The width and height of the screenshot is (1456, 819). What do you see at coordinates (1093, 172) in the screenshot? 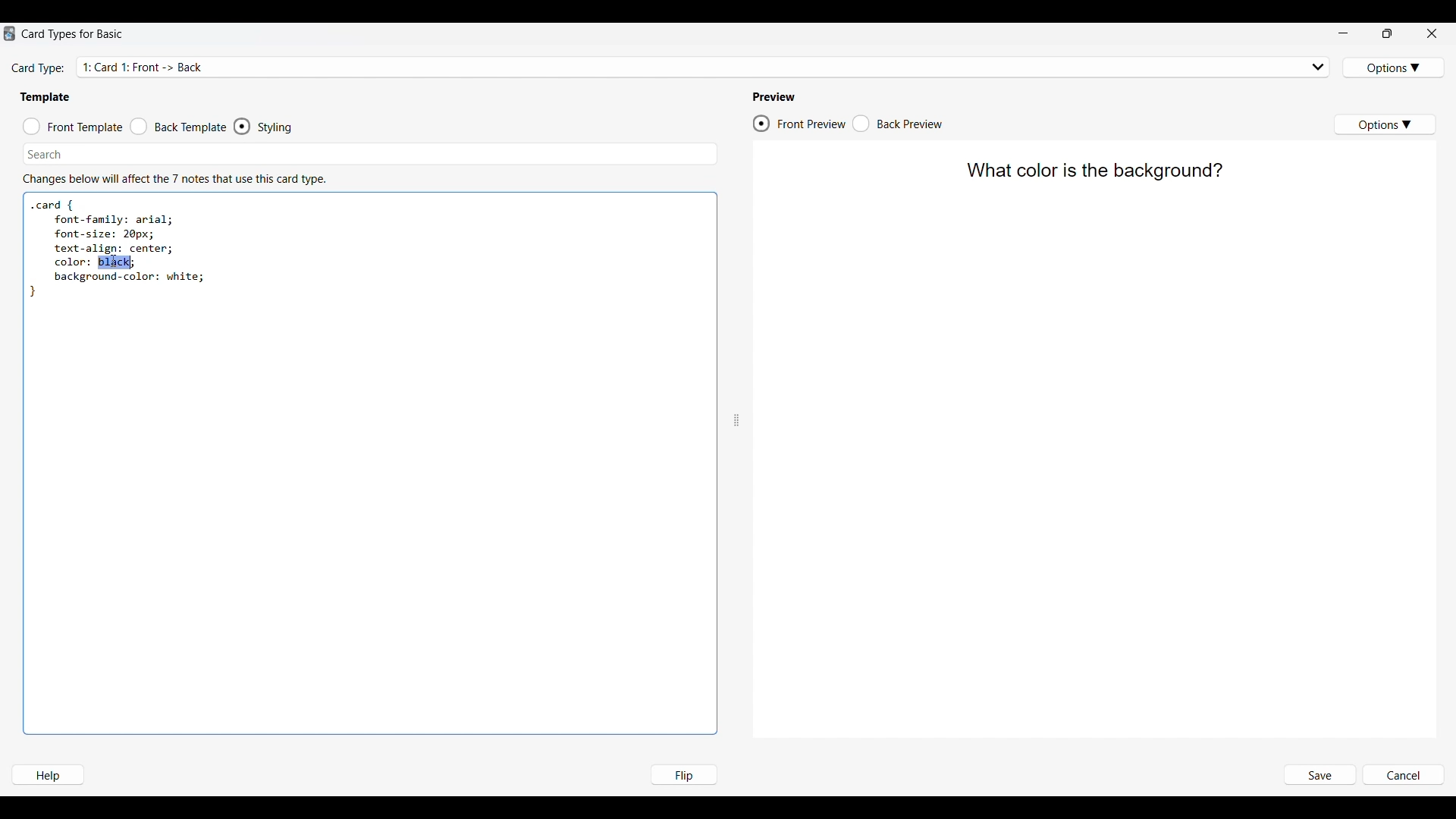
I see `Text on front of card` at bounding box center [1093, 172].